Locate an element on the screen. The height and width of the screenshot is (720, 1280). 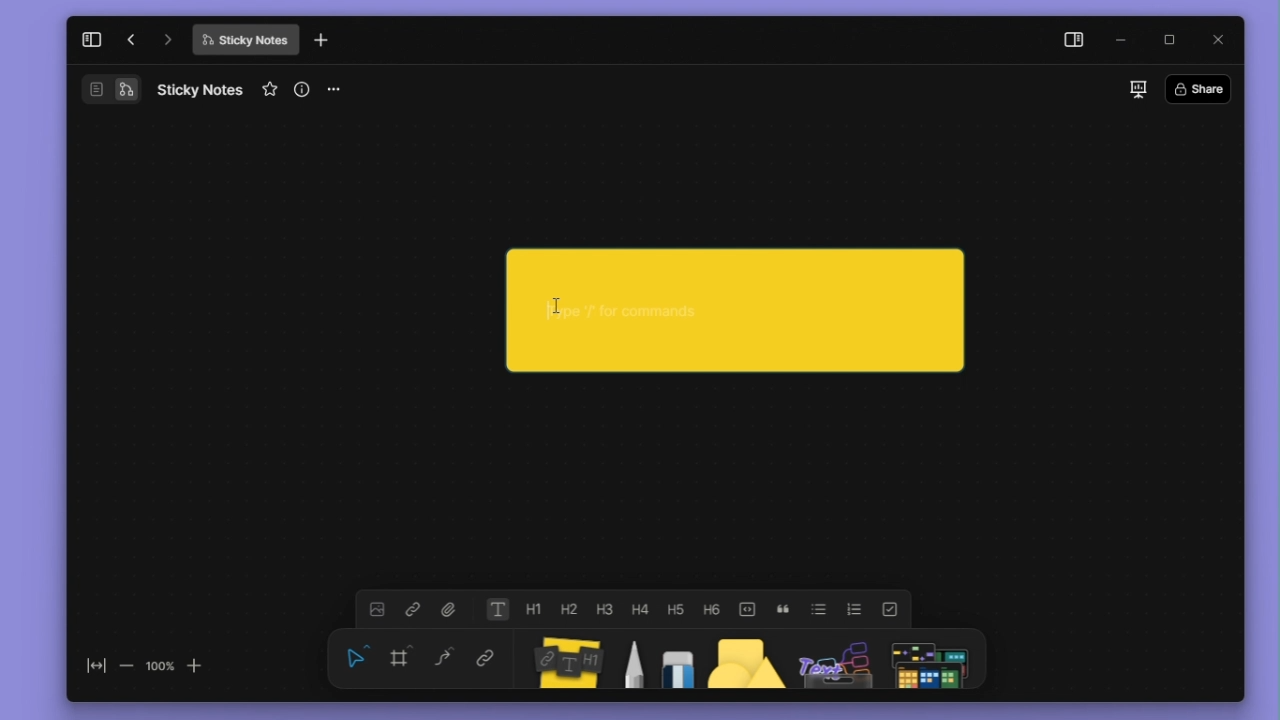
heading is located at coordinates (606, 609).